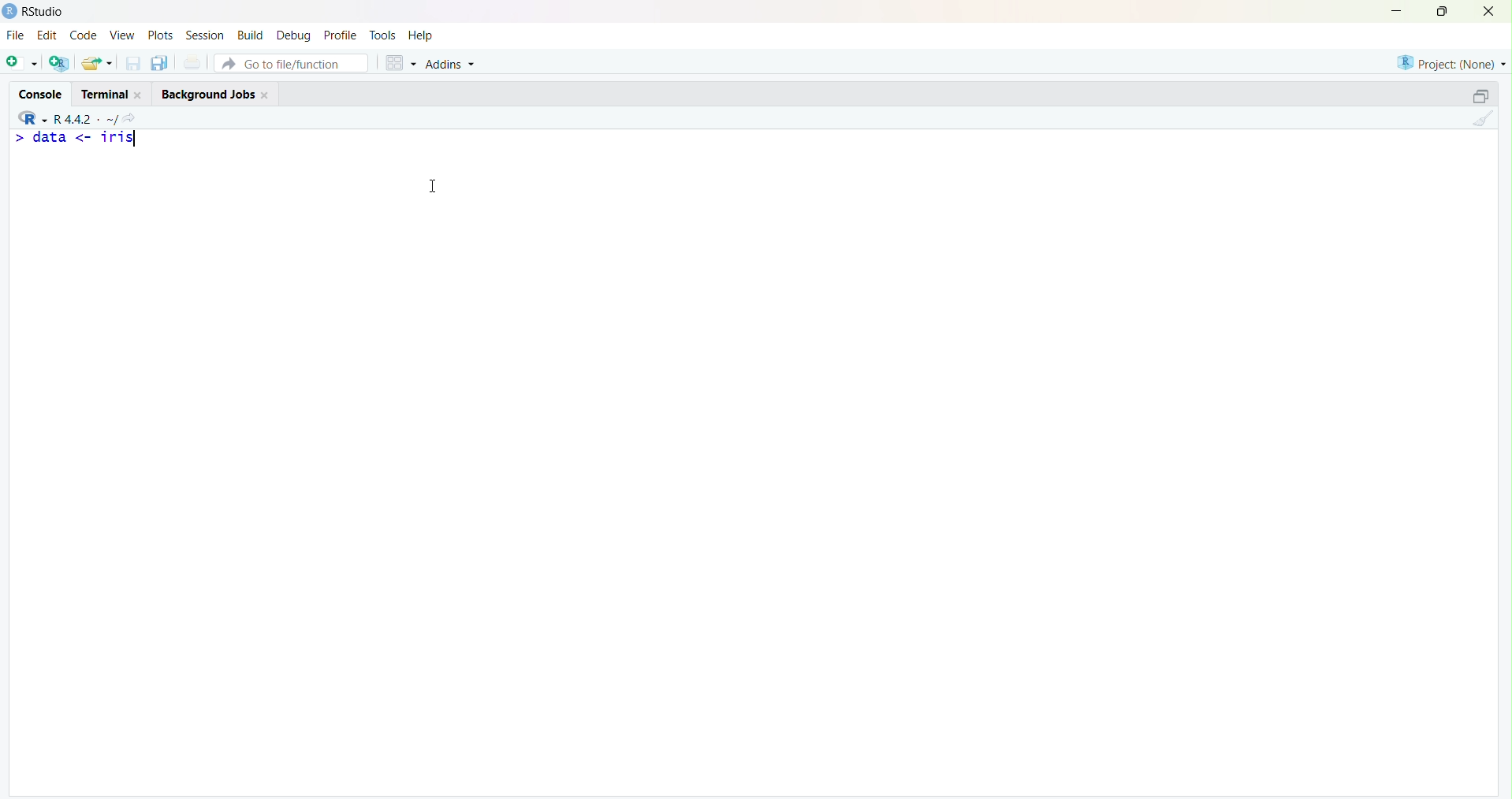 The width and height of the screenshot is (1512, 799). I want to click on Edit, so click(47, 33).